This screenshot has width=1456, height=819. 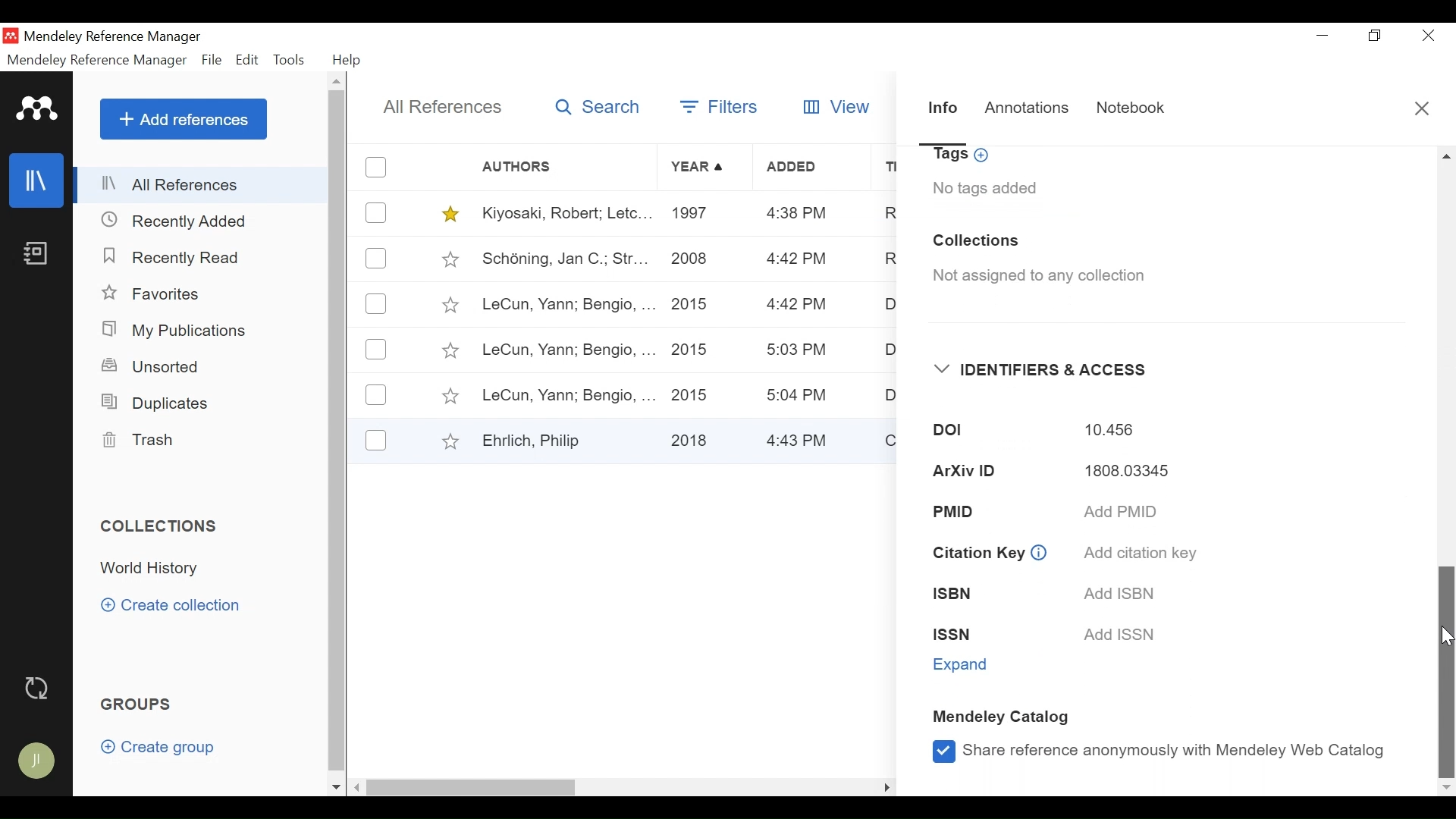 I want to click on Add PMID, so click(x=1122, y=513).